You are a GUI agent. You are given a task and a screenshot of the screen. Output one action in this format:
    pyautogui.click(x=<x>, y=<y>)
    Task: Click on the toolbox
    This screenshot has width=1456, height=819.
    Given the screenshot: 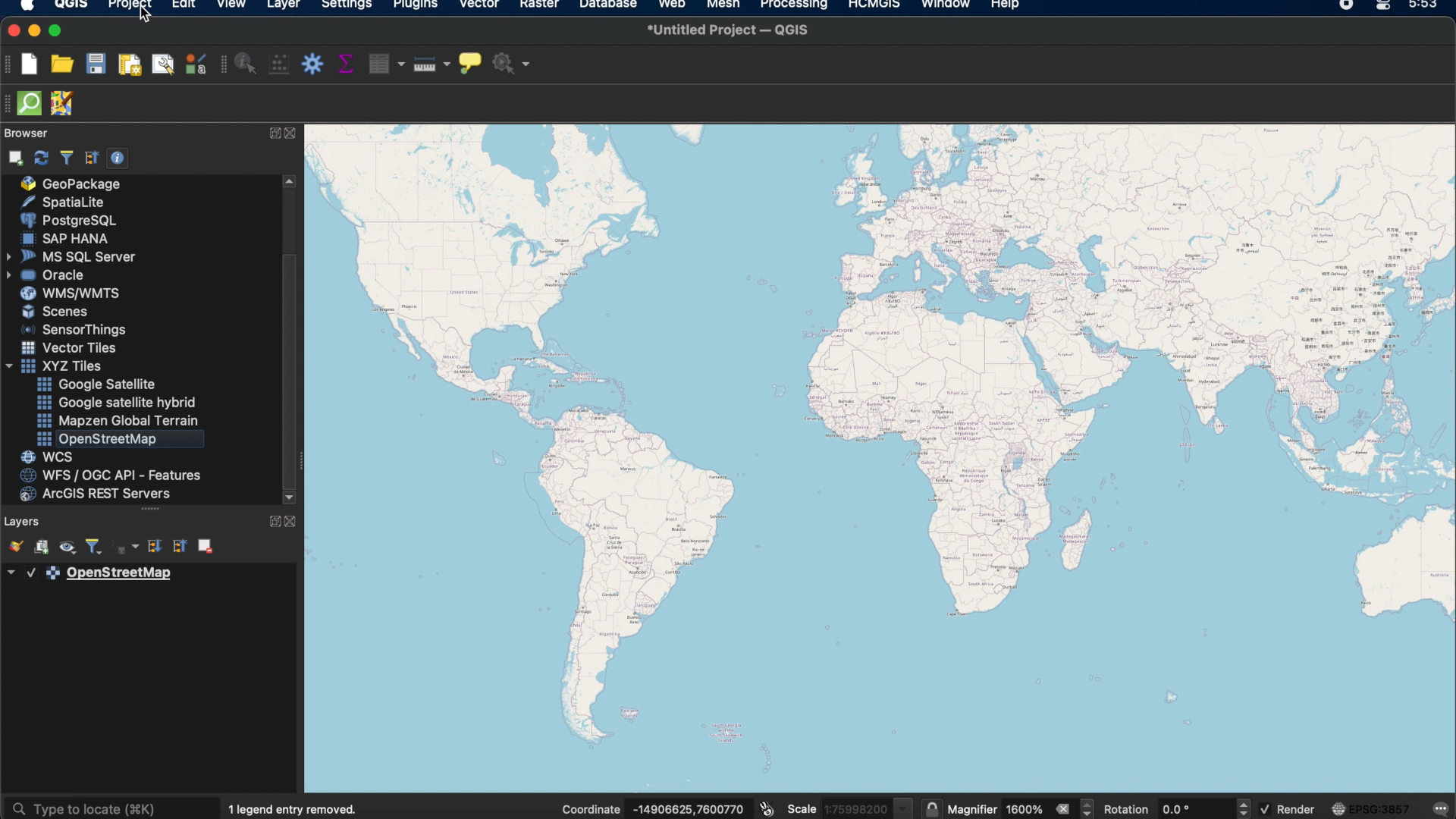 What is the action you would take?
    pyautogui.click(x=311, y=64)
    